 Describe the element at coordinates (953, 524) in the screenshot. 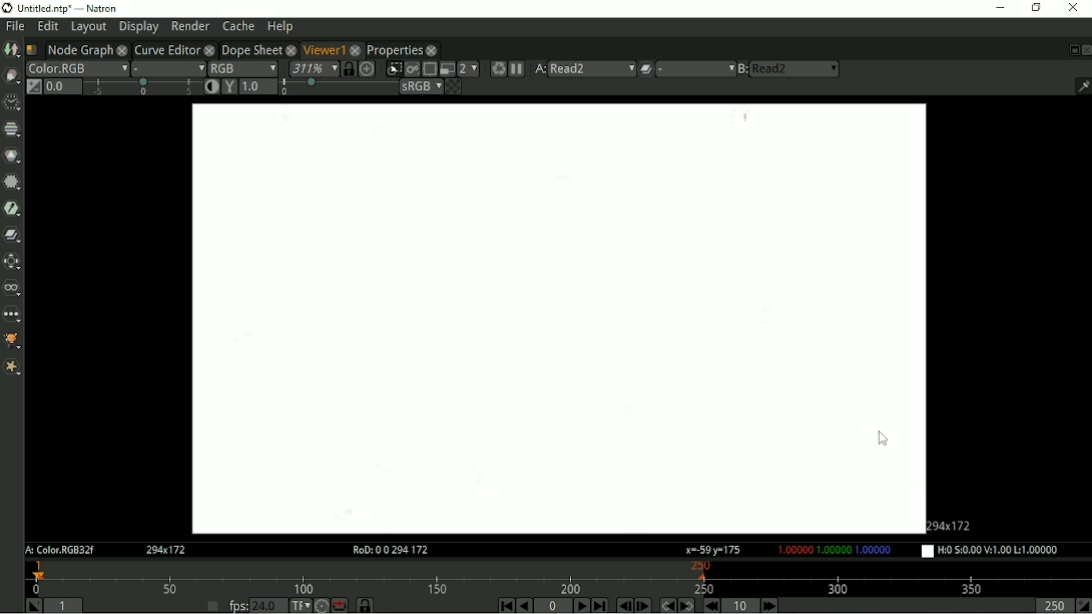

I see `Aspect` at that location.